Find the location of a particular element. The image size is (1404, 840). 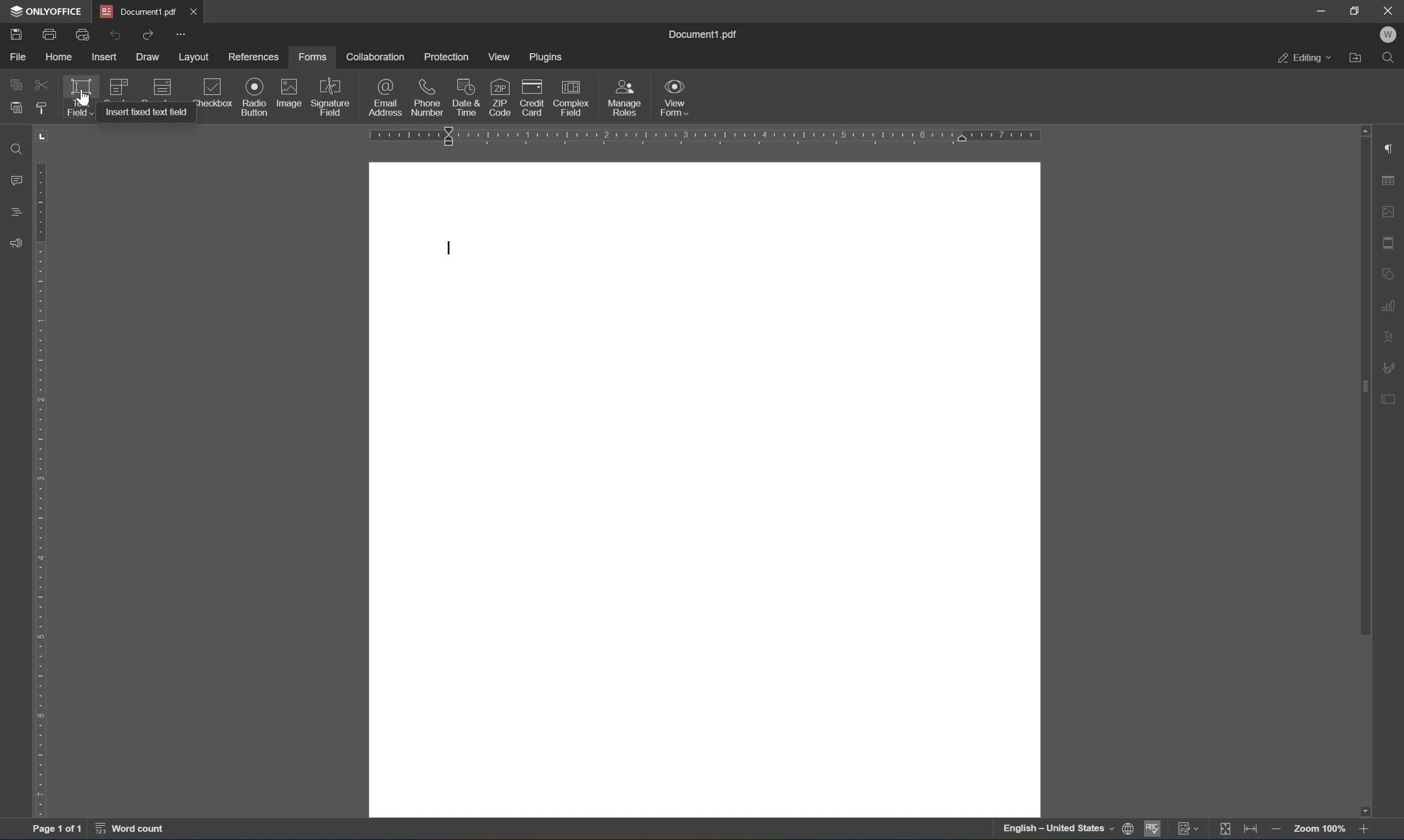

radio button is located at coordinates (255, 96).